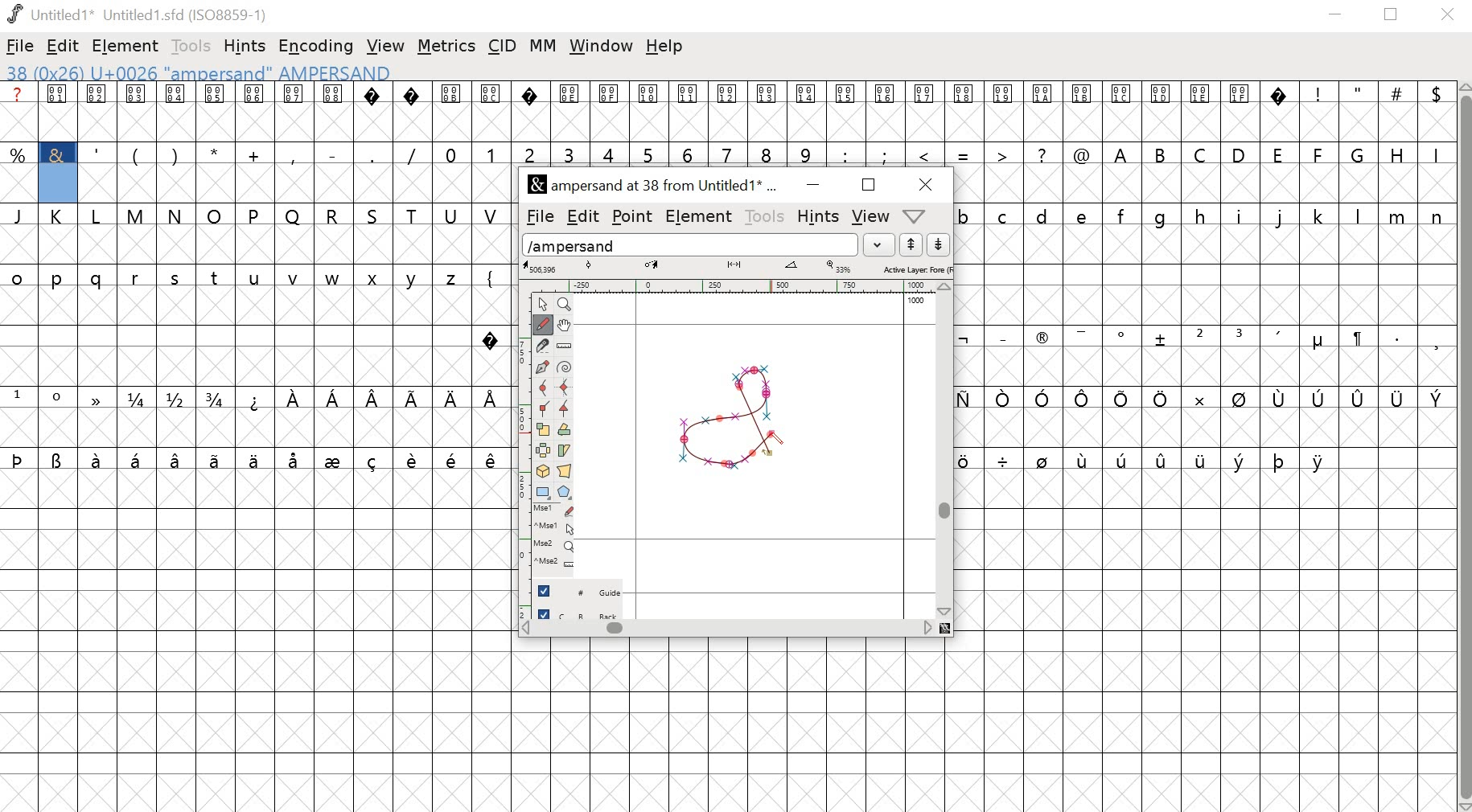  What do you see at coordinates (1004, 112) in the screenshot?
I see `0019` at bounding box center [1004, 112].